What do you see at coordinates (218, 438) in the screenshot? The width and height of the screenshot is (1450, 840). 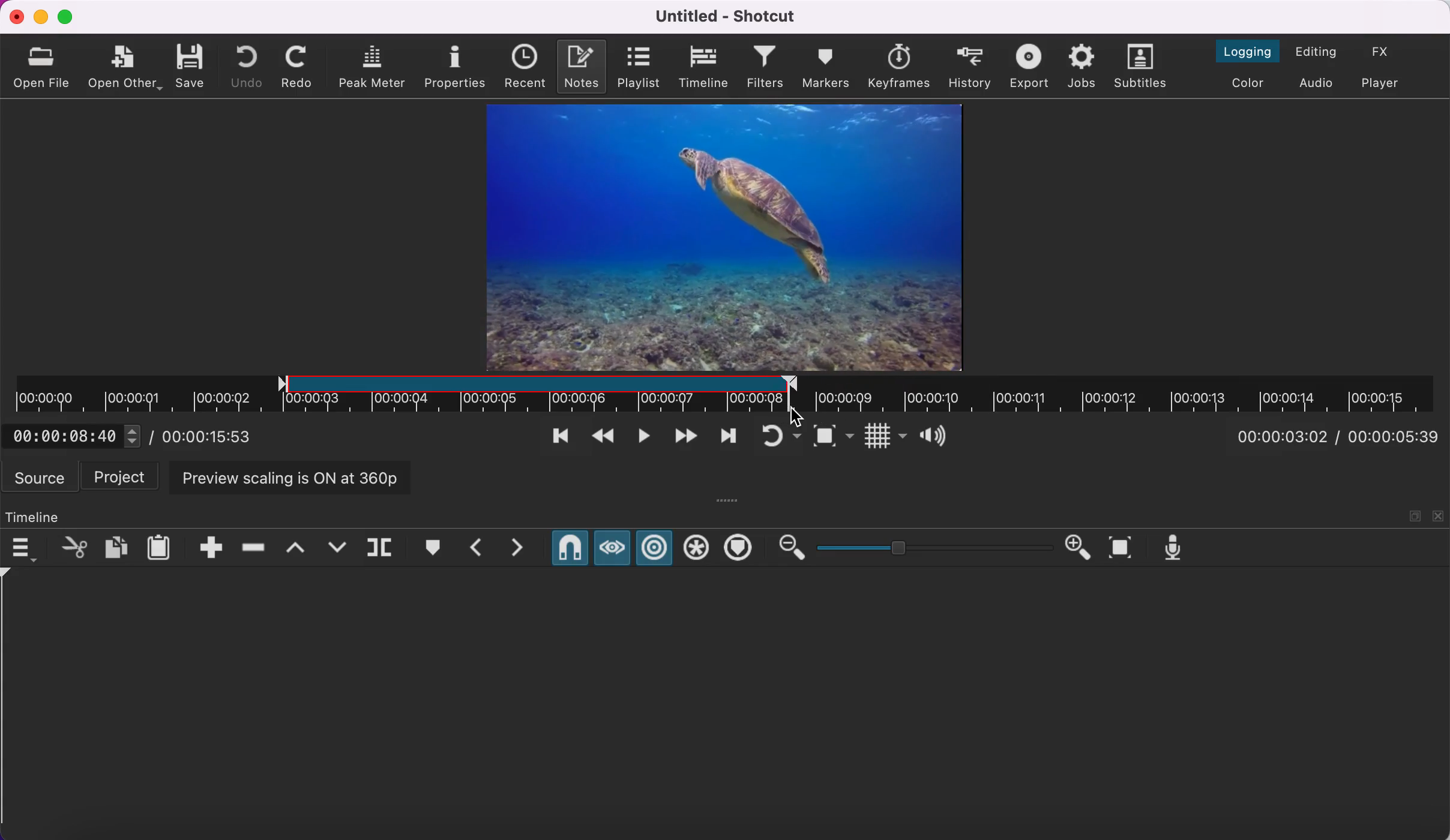 I see `total duration` at bounding box center [218, 438].